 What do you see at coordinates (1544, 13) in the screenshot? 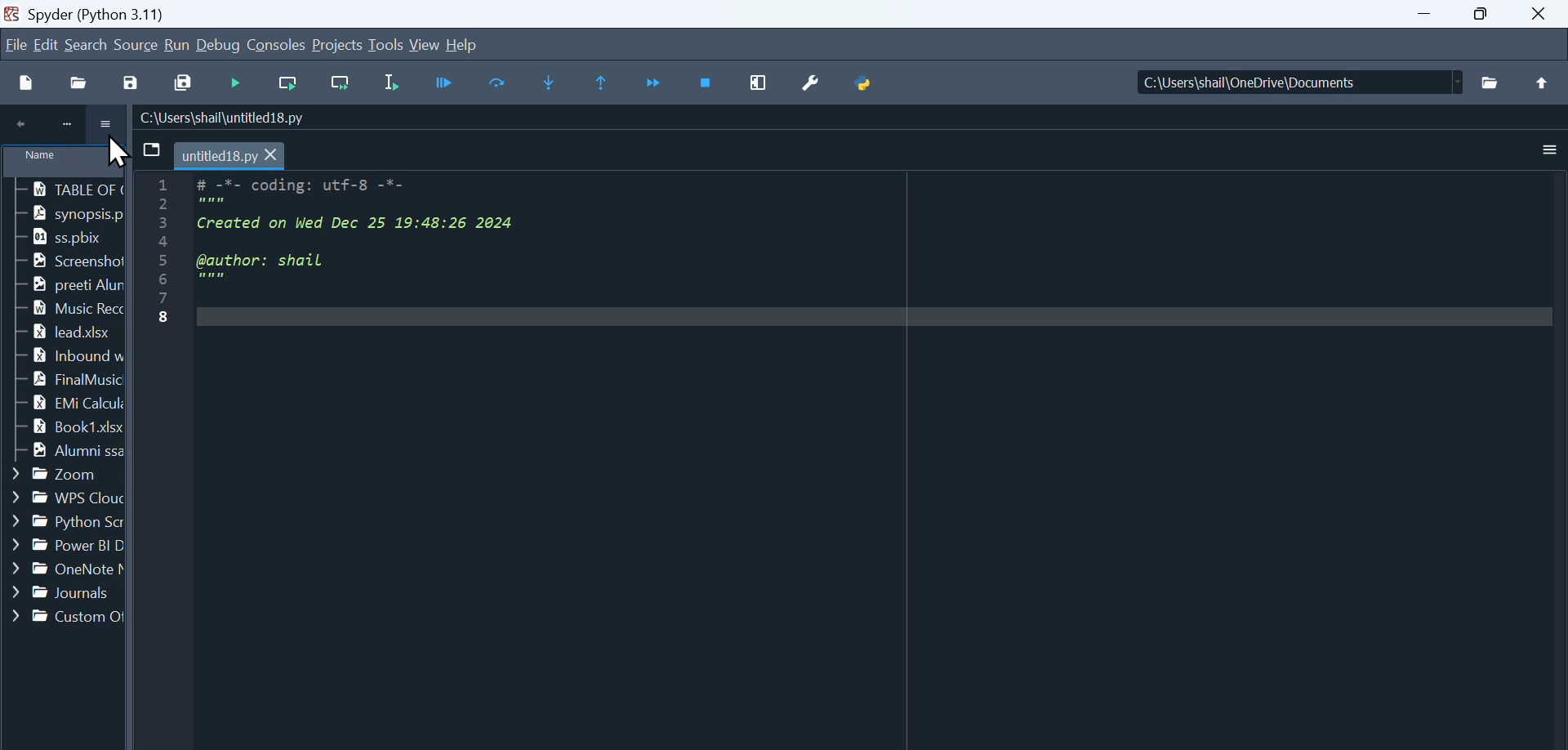
I see `Close` at bounding box center [1544, 13].